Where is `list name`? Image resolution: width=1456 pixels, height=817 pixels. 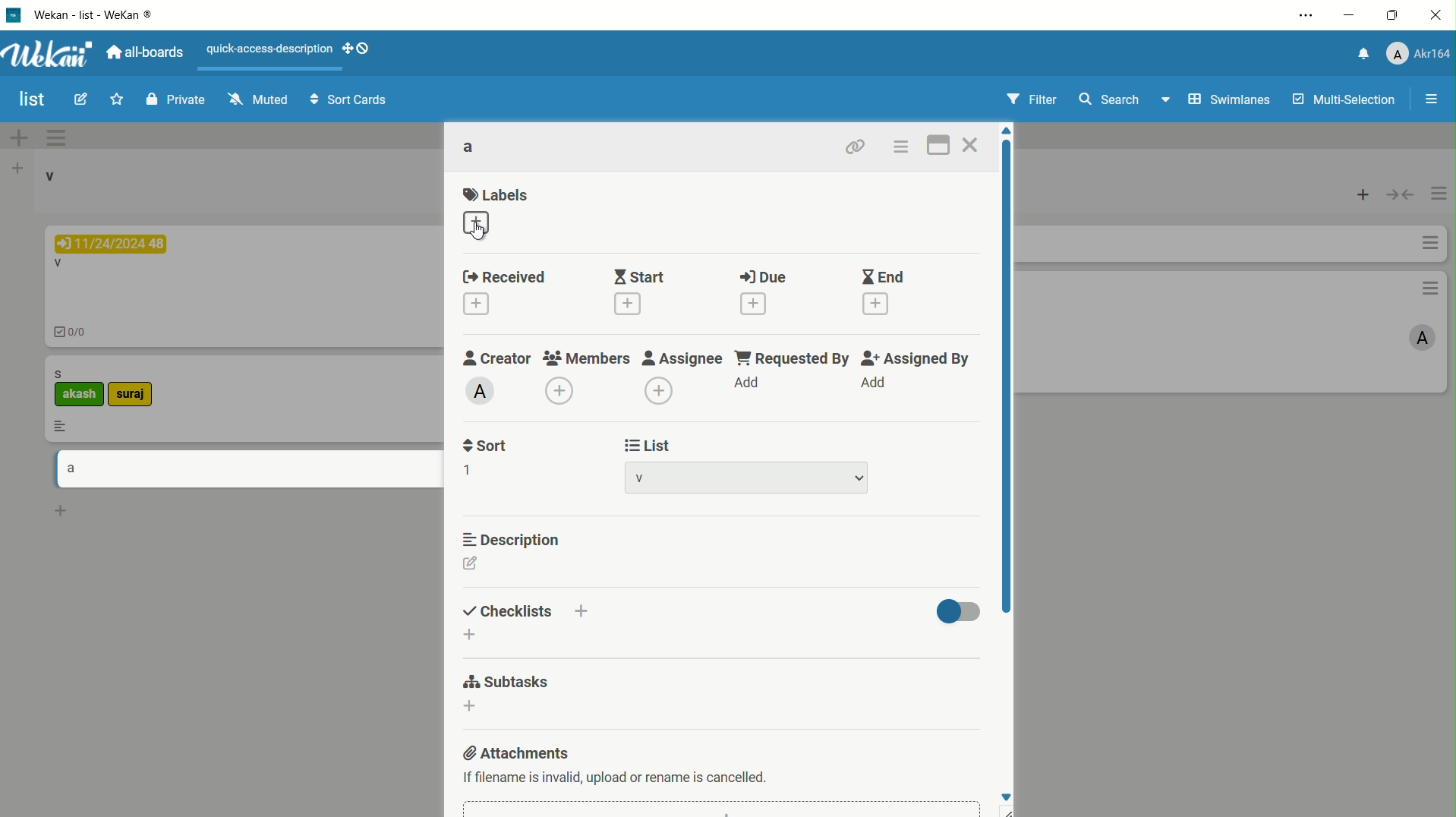
list name is located at coordinates (639, 477).